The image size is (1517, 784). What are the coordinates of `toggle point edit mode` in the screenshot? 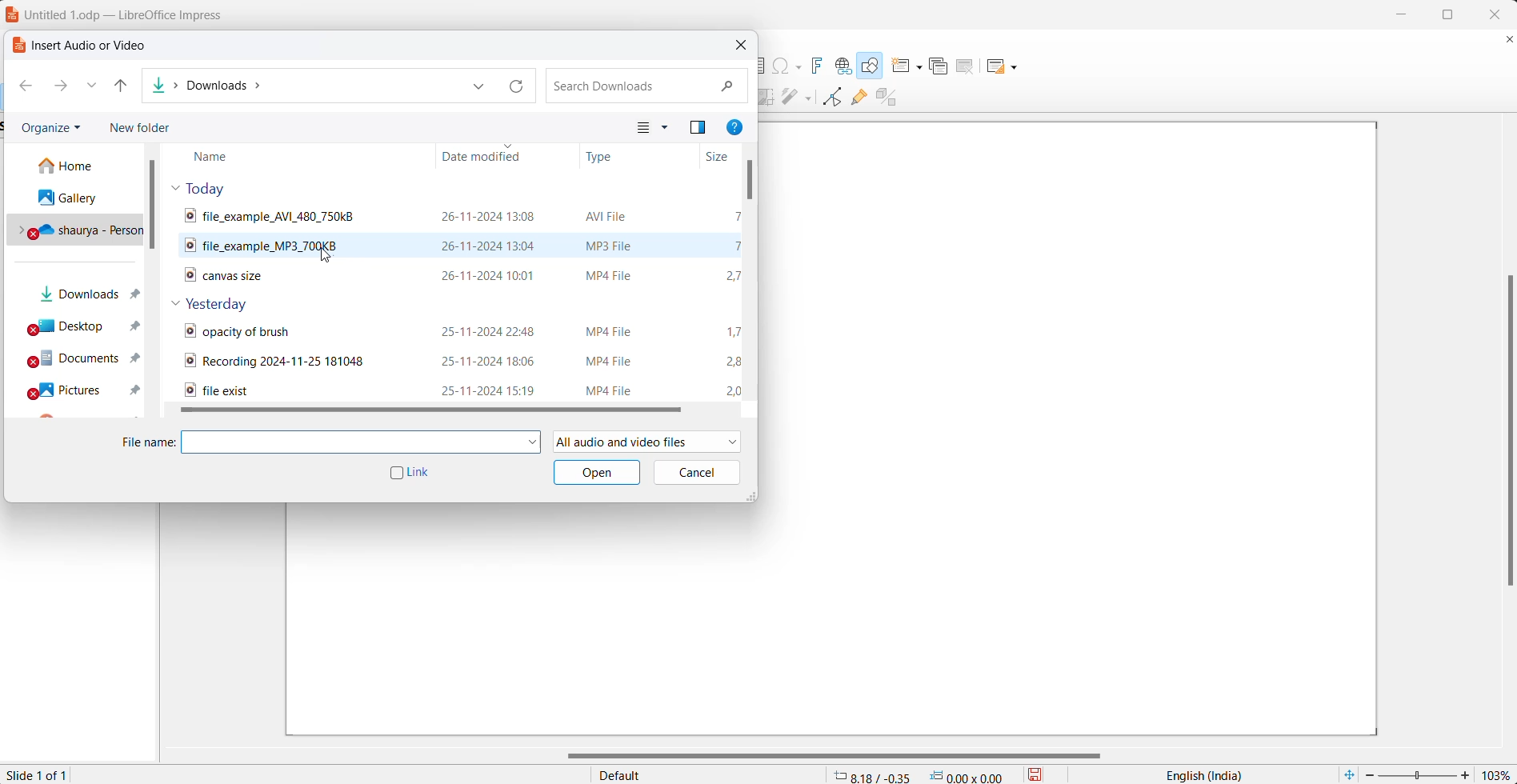 It's located at (831, 100).